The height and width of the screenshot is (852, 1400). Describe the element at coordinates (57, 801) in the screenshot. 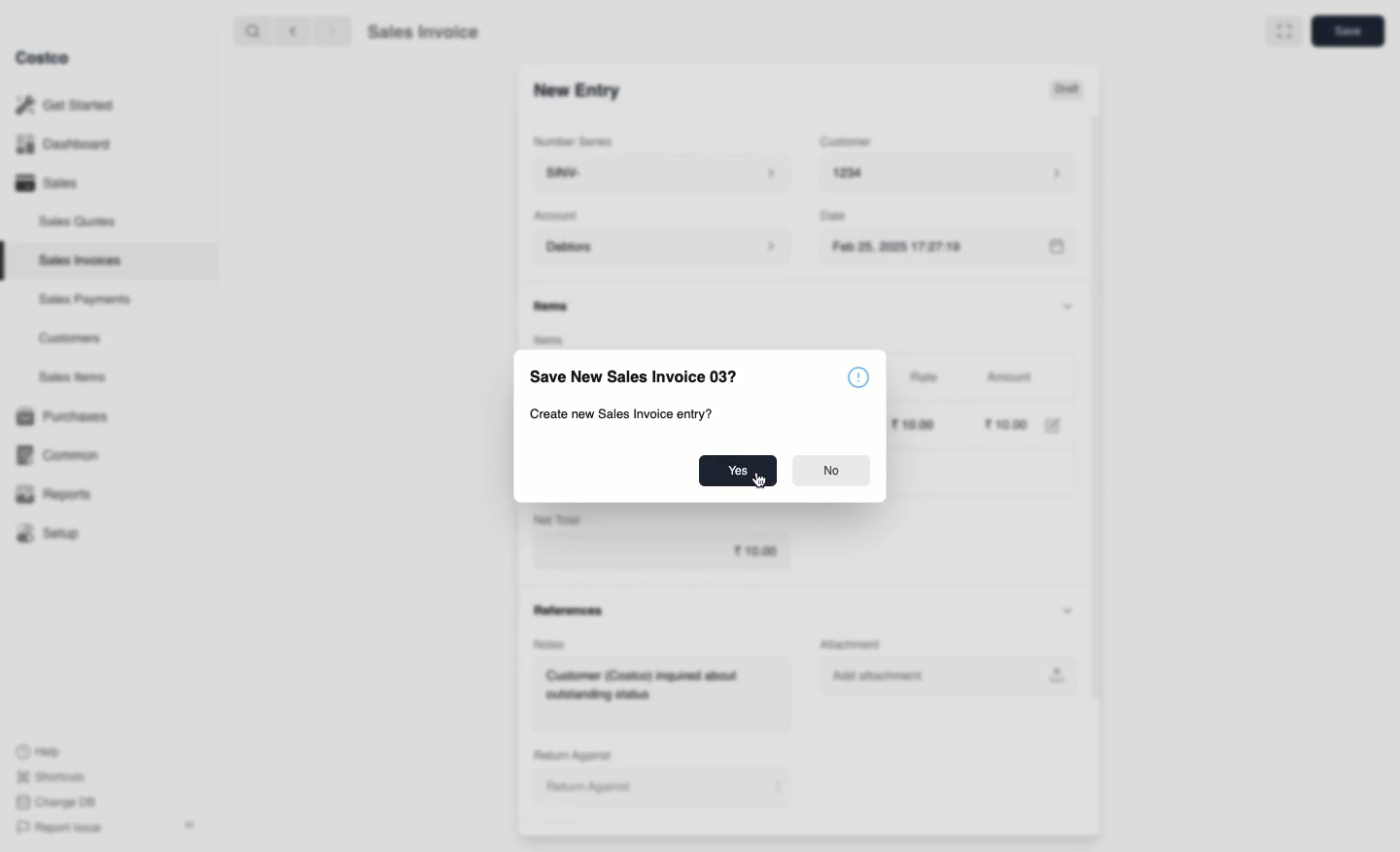

I see `Change DB` at that location.